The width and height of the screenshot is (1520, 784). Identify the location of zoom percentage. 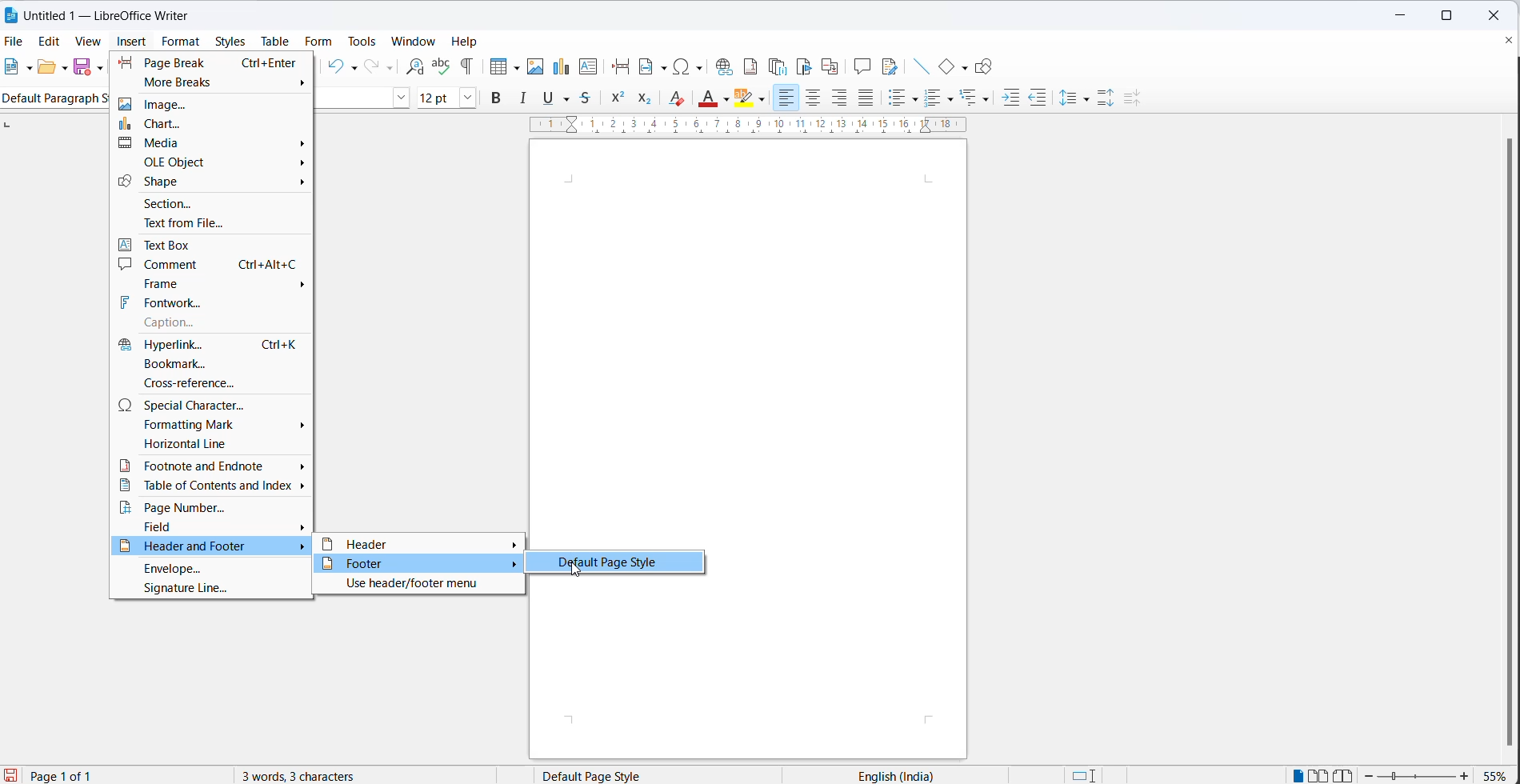
(1498, 774).